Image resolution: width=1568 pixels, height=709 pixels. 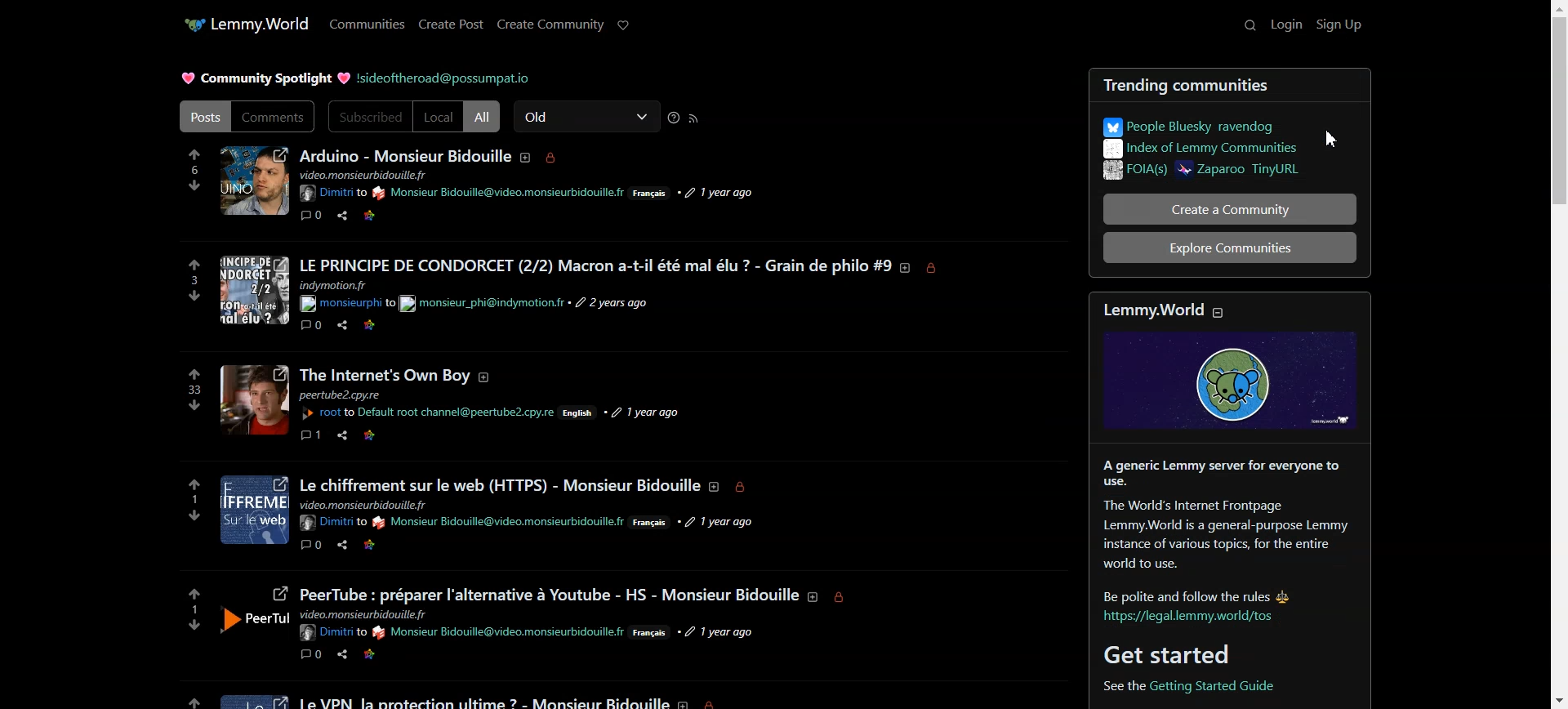 What do you see at coordinates (385, 376) in the screenshot?
I see `Profile picture` at bounding box center [385, 376].